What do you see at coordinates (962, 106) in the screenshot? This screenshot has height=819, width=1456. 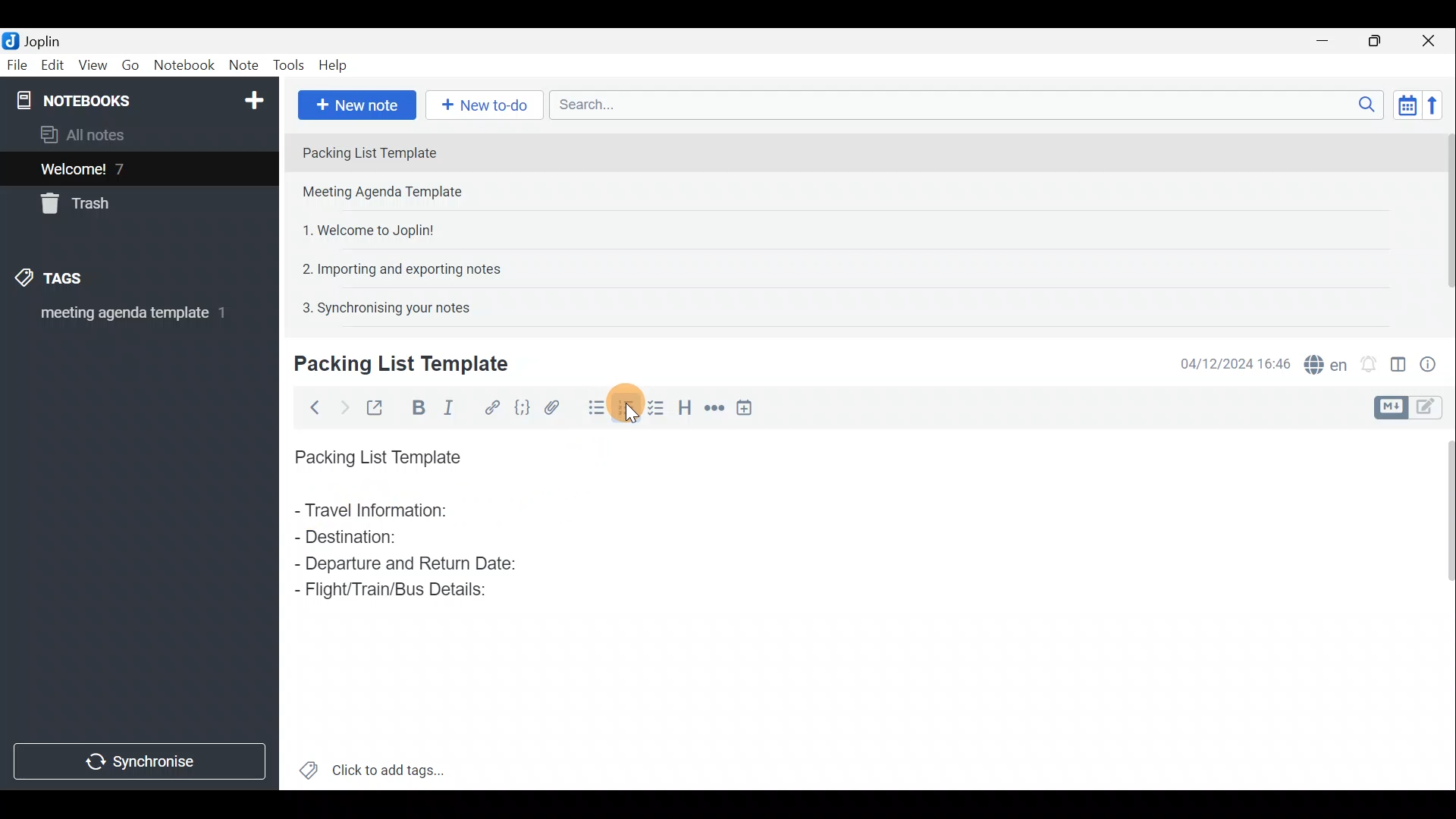 I see `Search bar` at bounding box center [962, 106].